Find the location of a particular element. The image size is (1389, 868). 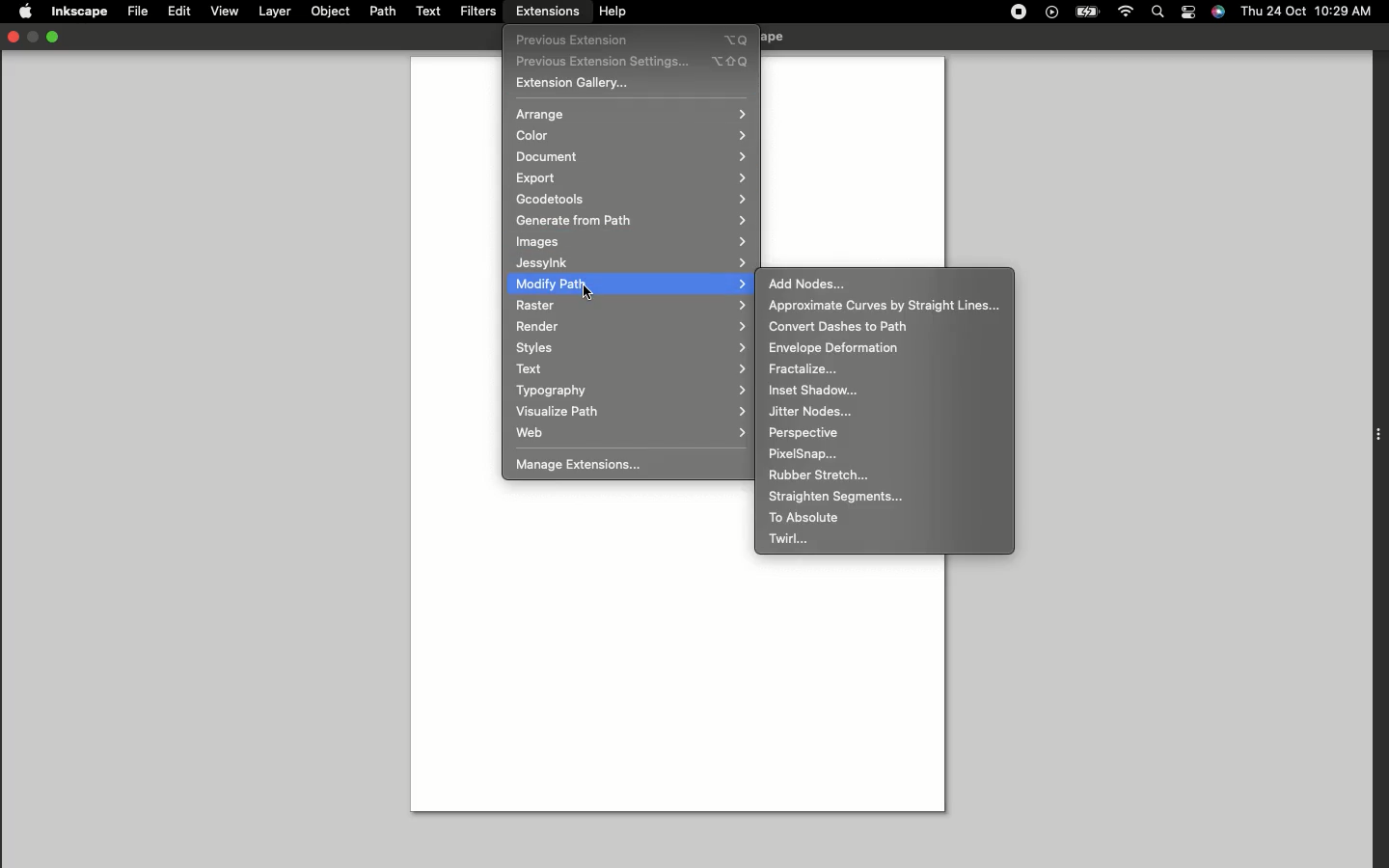

Convert dashes to path is located at coordinates (839, 326).